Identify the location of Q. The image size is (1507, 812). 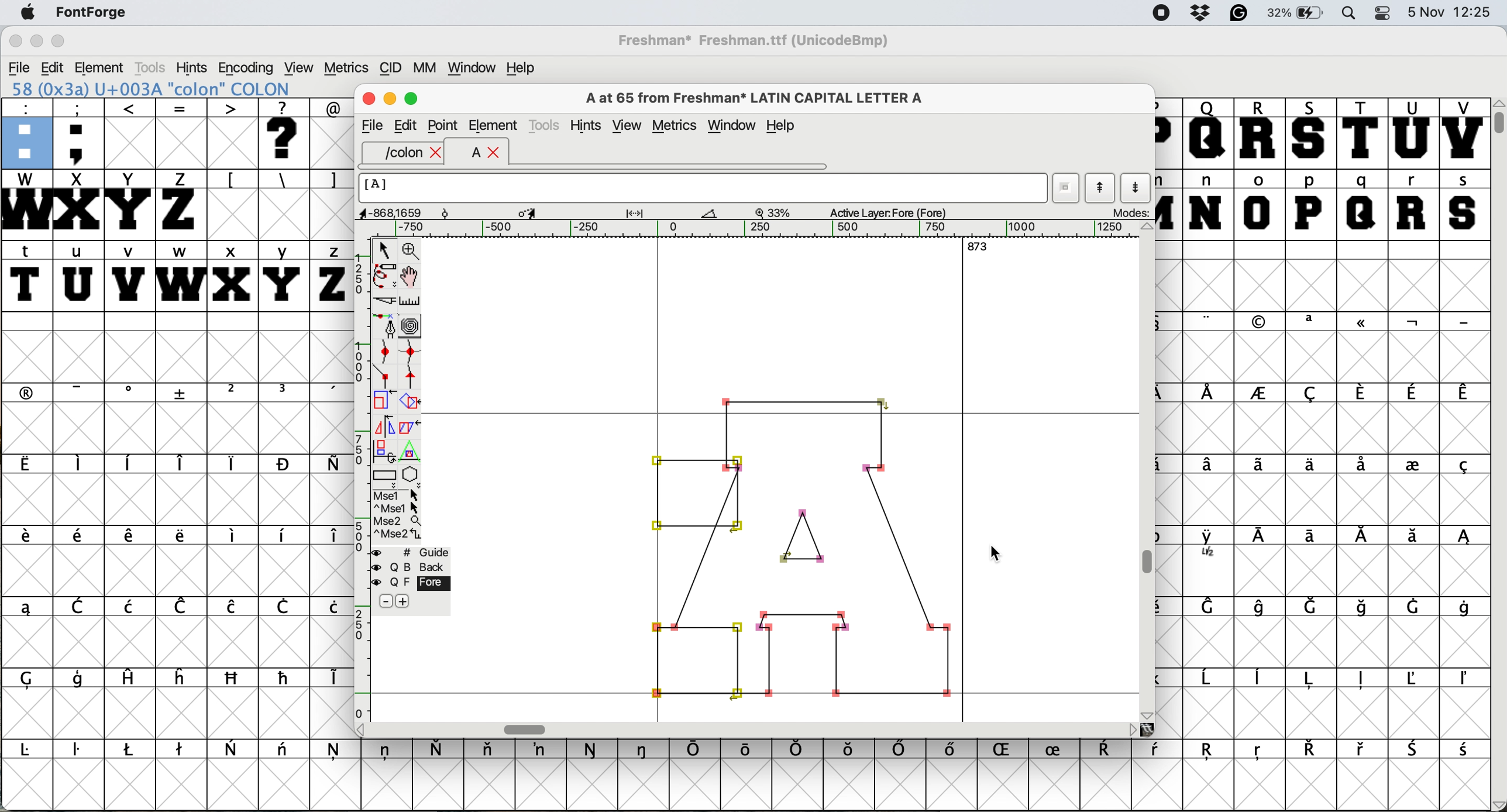
(1209, 133).